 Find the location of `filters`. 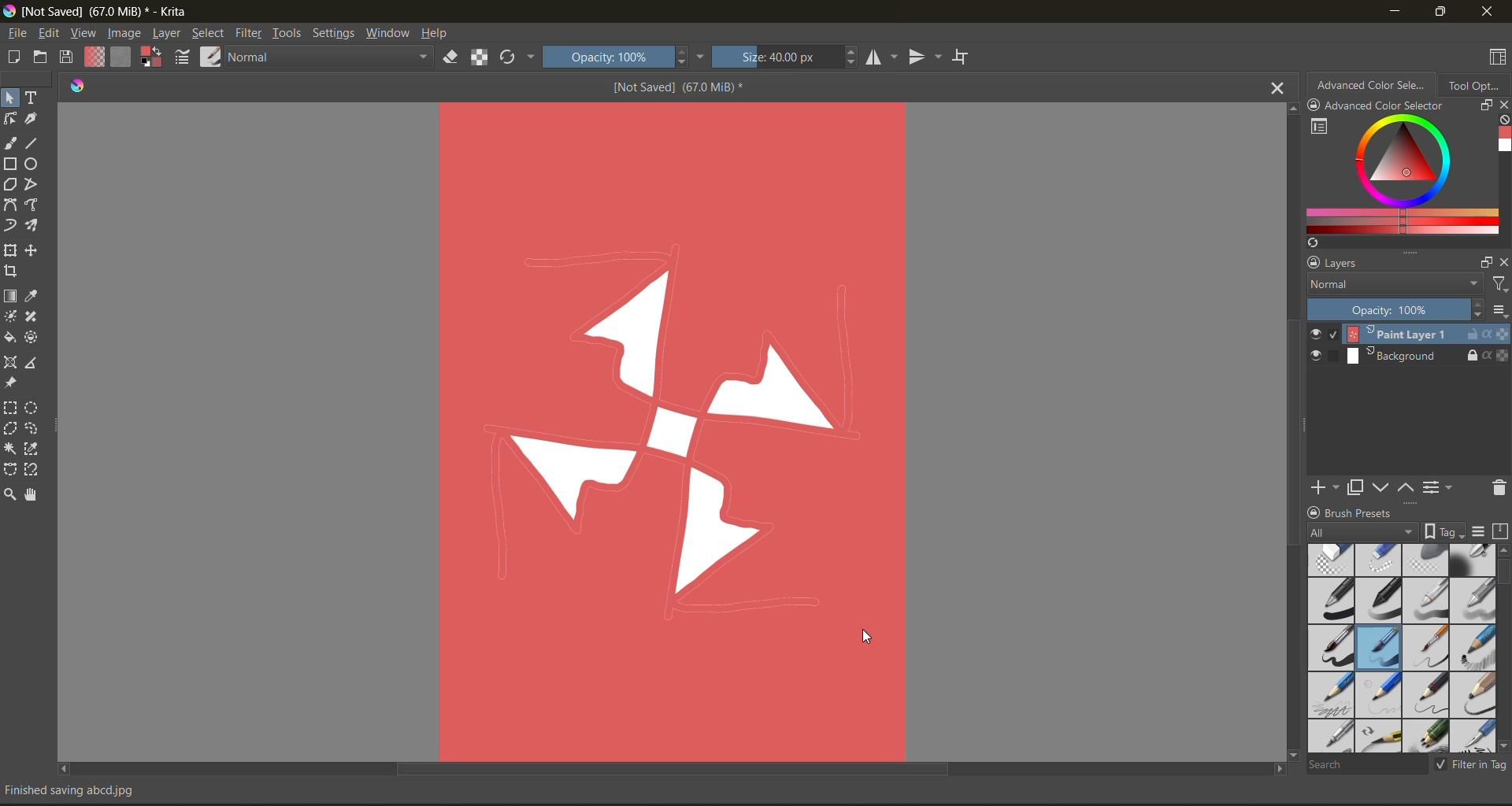

filters is located at coordinates (1499, 287).